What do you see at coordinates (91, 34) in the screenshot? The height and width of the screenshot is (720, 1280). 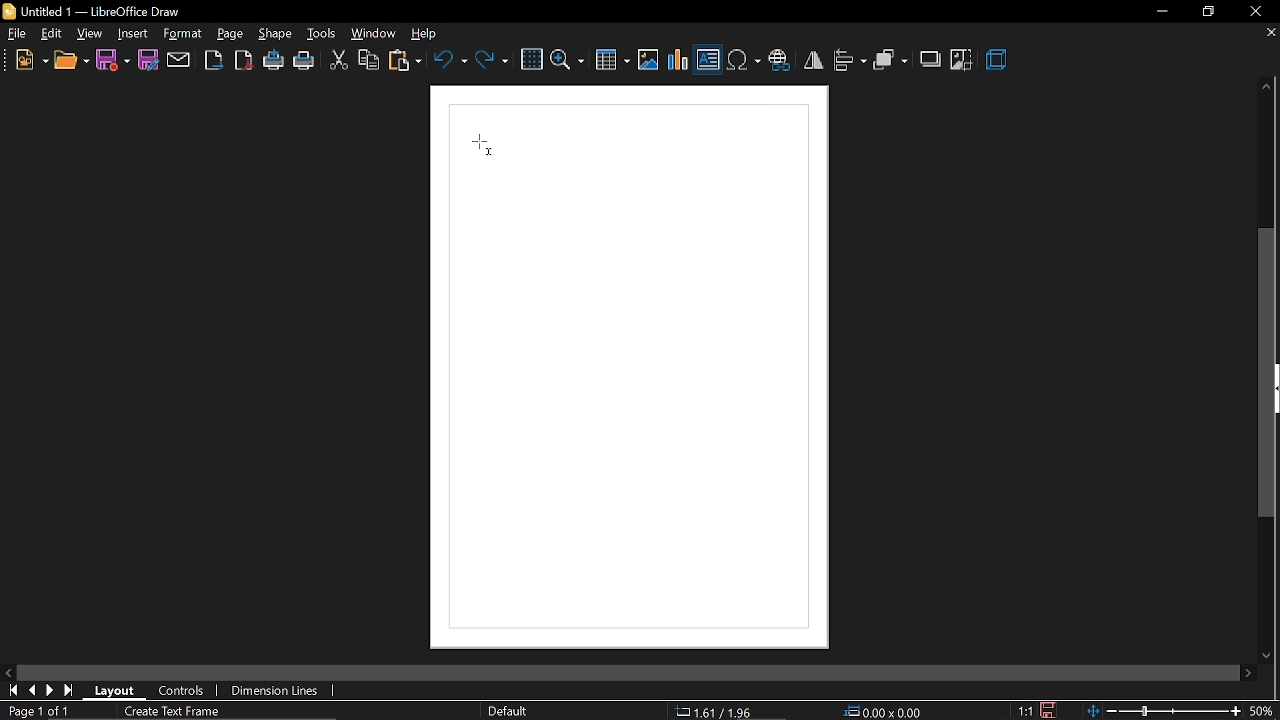 I see `view` at bounding box center [91, 34].